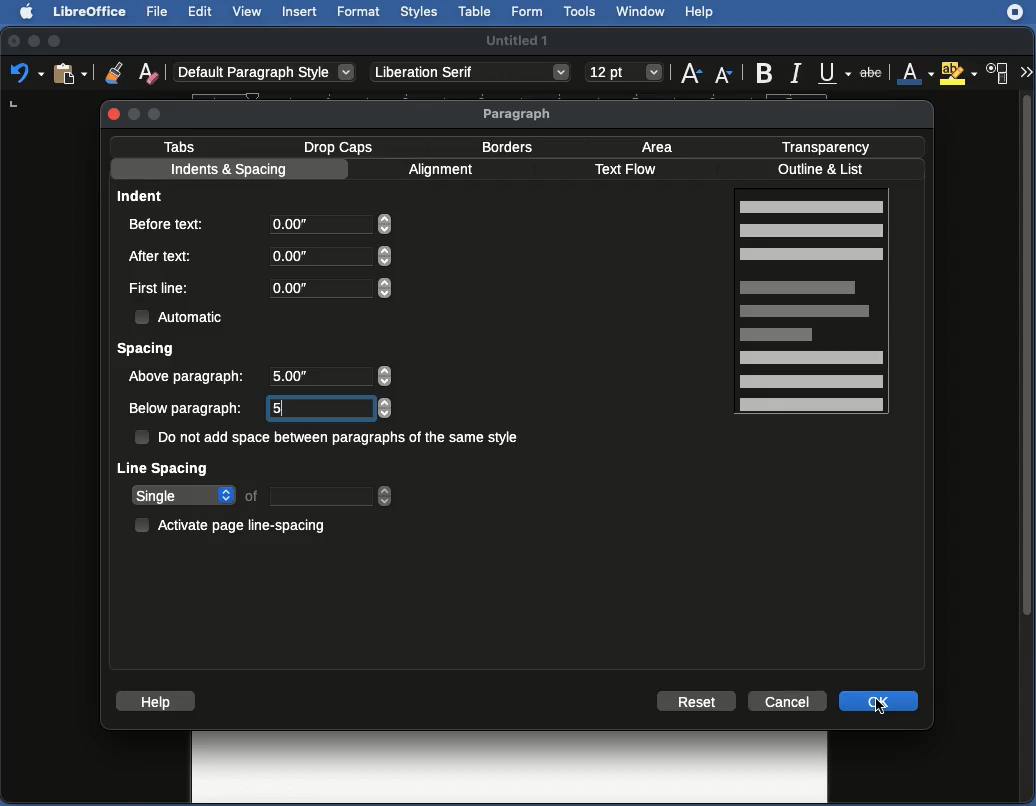 The height and width of the screenshot is (806, 1036). I want to click on clone formatting, so click(108, 72).